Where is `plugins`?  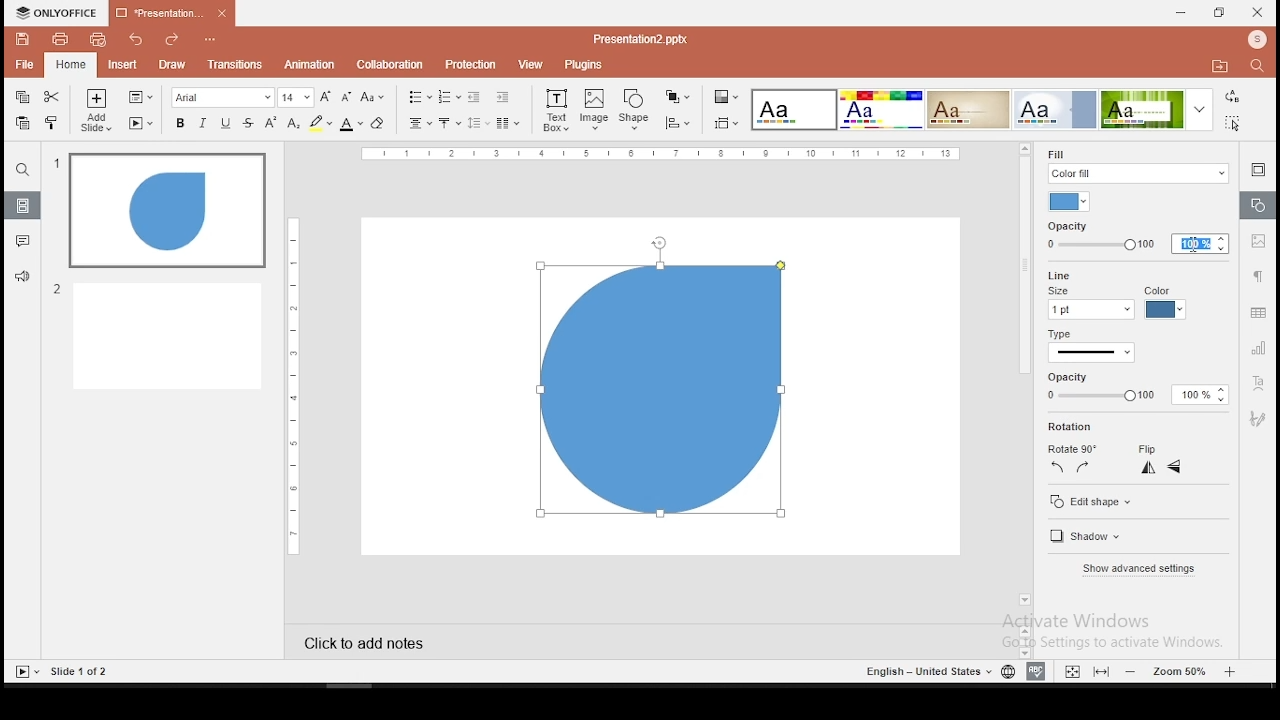 plugins is located at coordinates (584, 64).